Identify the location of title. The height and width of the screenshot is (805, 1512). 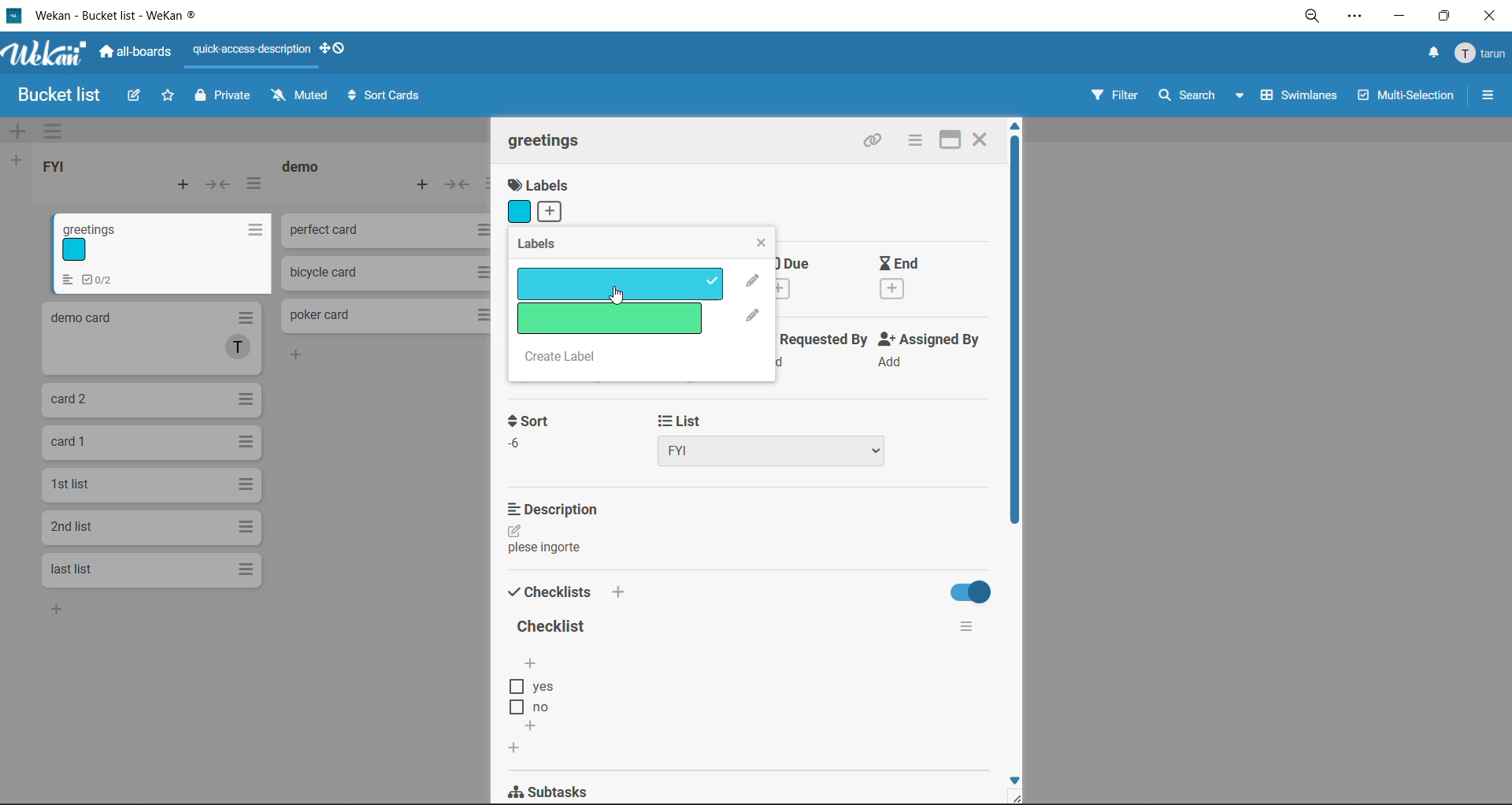
(552, 625).